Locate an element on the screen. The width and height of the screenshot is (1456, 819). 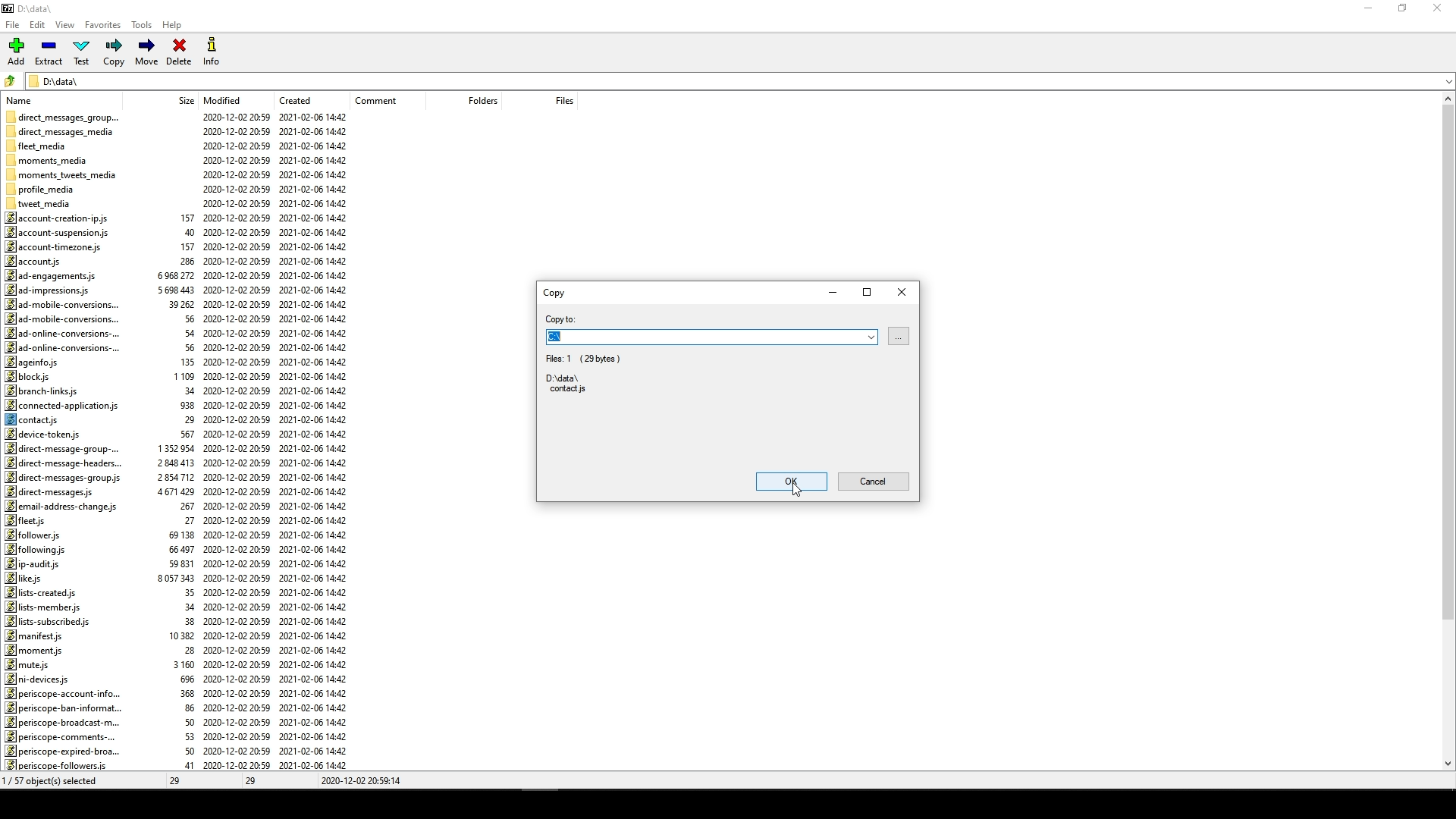
29 is located at coordinates (179, 780).